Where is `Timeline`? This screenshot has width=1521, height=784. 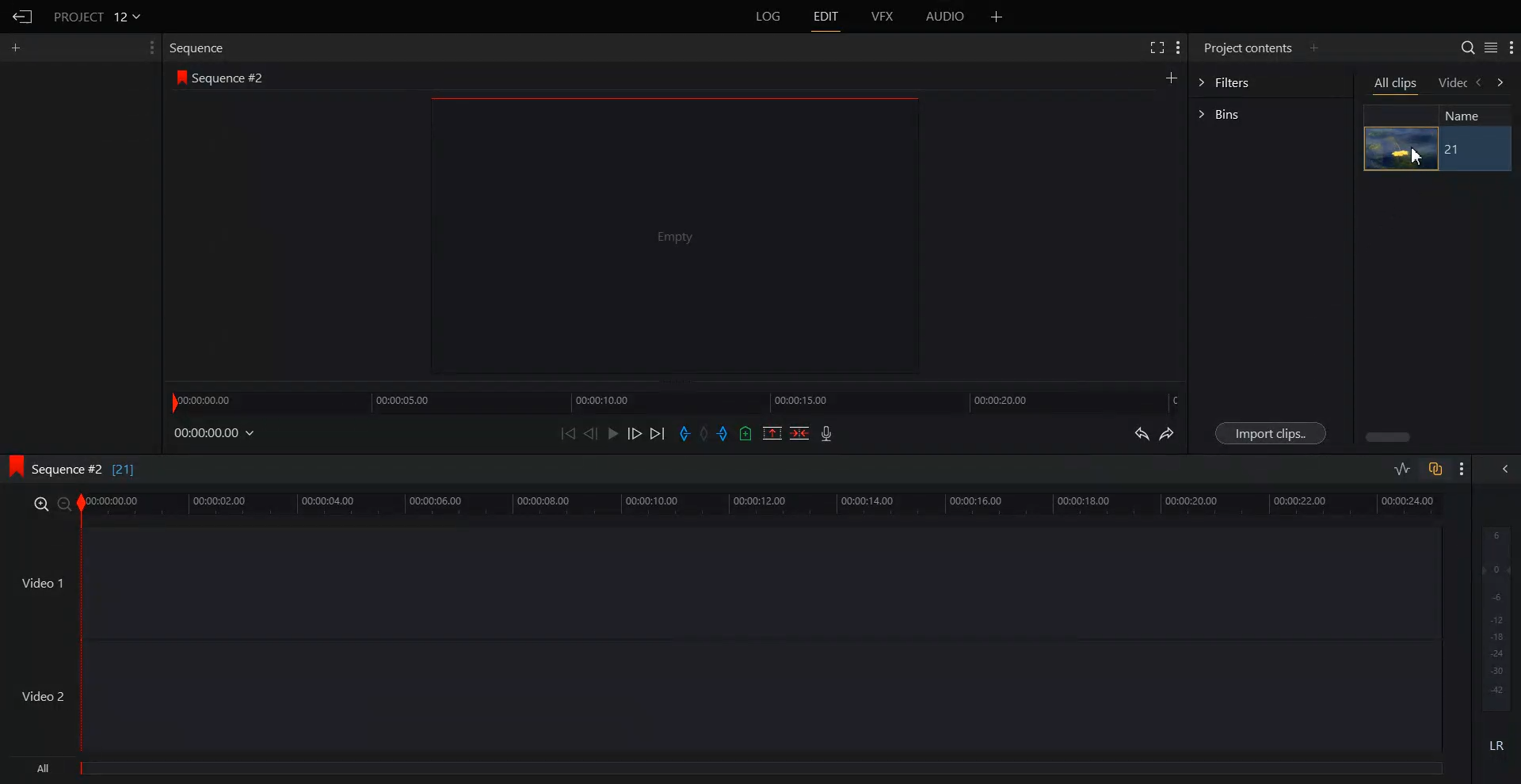
Timeline is located at coordinates (761, 504).